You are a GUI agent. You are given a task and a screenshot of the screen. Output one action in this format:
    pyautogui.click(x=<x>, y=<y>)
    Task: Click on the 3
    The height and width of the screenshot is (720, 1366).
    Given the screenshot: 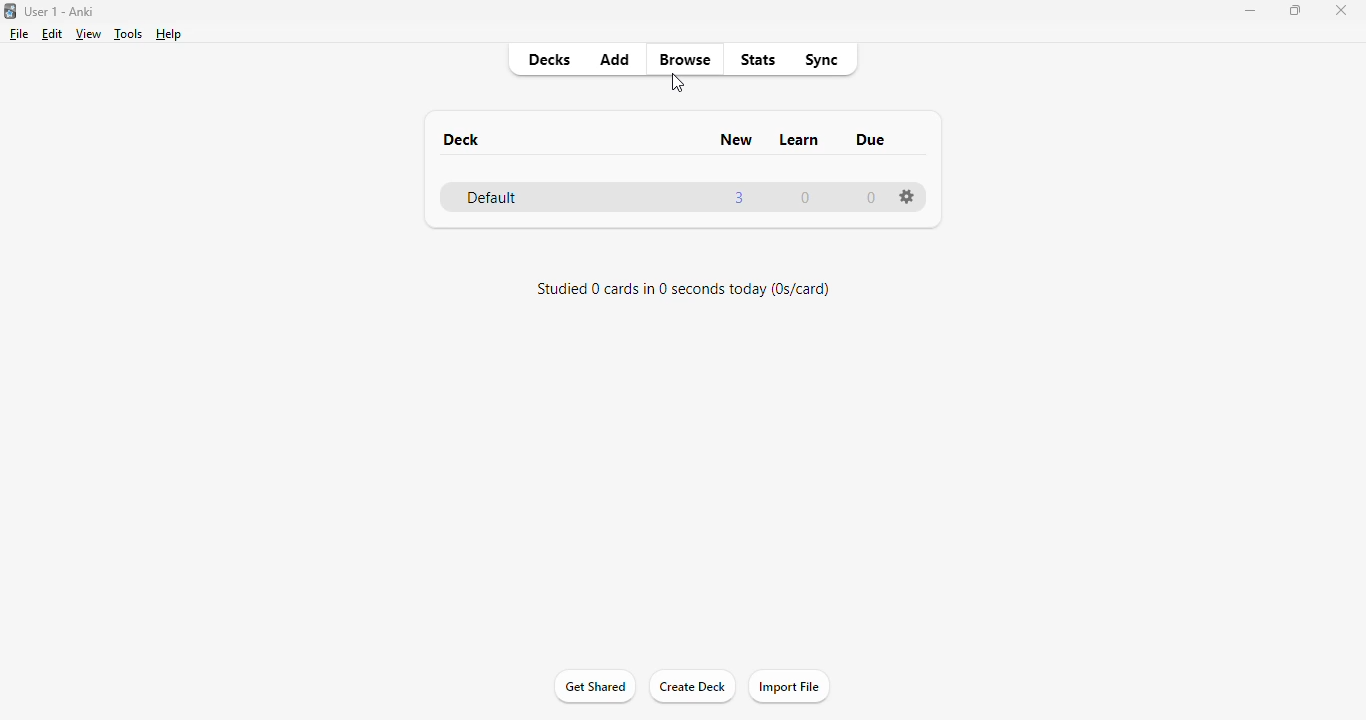 What is the action you would take?
    pyautogui.click(x=739, y=198)
    